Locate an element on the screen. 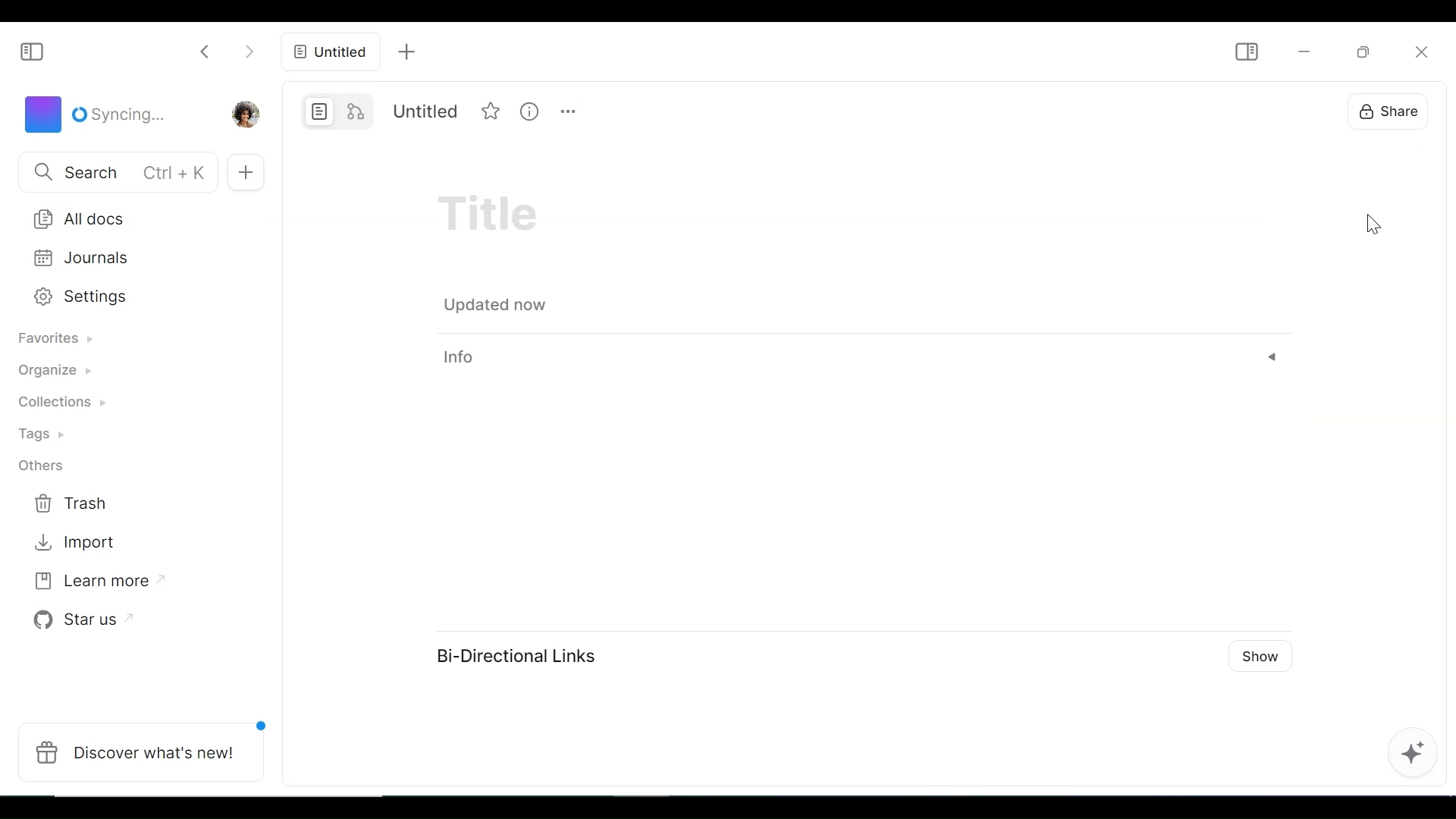 This screenshot has height=819, width=1456. Favorites is located at coordinates (66, 341).